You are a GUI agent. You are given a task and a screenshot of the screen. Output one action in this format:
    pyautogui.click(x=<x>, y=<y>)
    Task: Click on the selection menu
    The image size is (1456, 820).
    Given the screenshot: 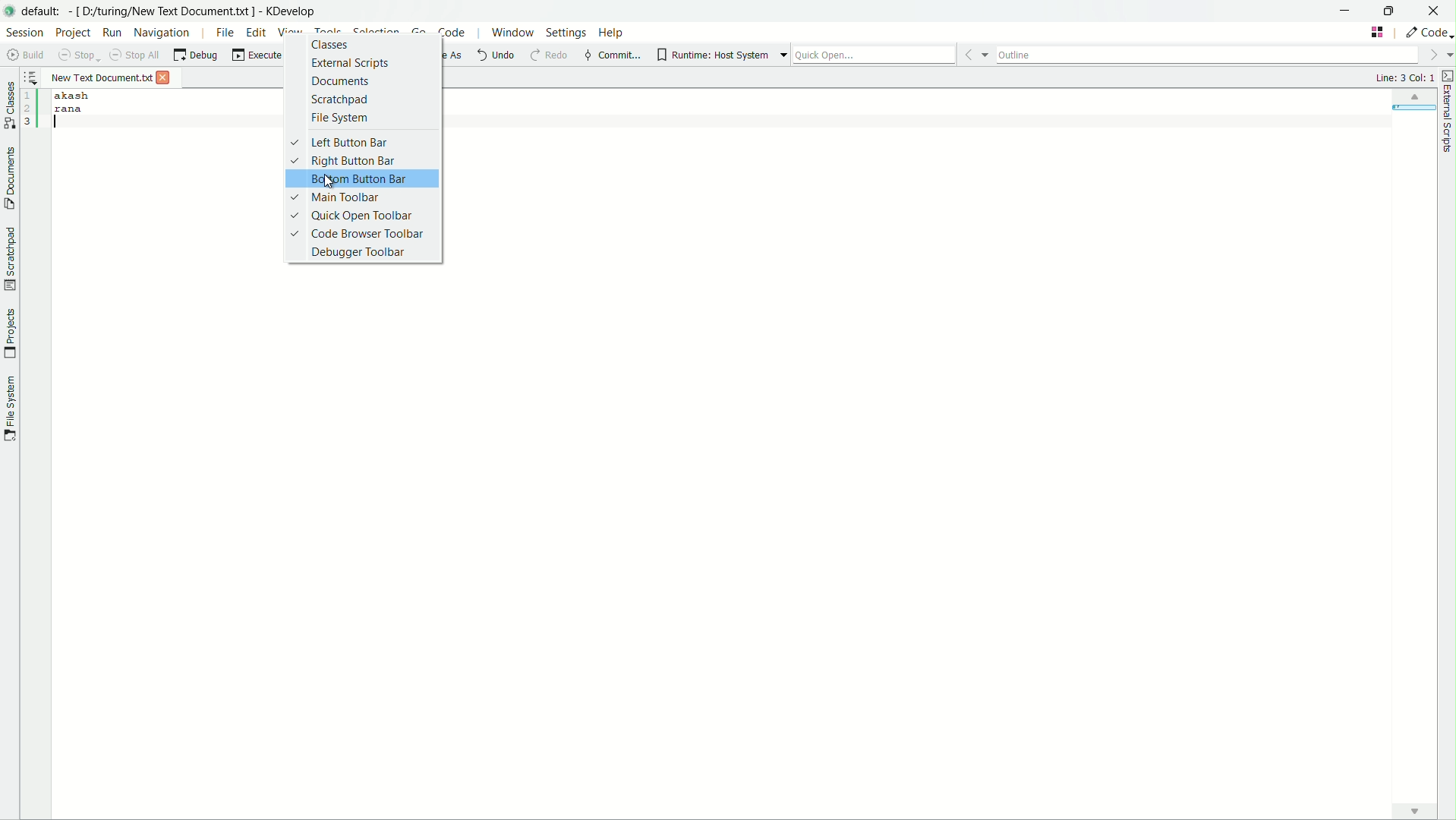 What is the action you would take?
    pyautogui.click(x=374, y=32)
    